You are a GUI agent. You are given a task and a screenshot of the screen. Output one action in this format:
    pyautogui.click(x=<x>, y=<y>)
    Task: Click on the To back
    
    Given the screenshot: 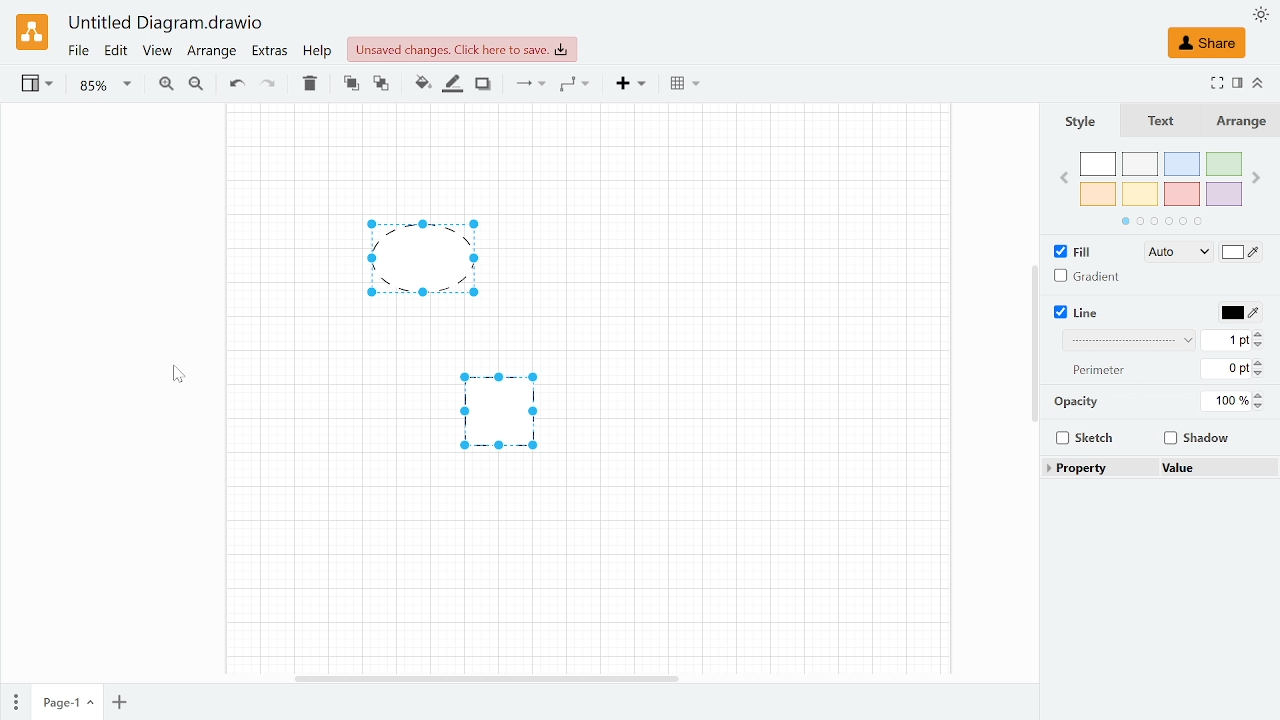 What is the action you would take?
    pyautogui.click(x=381, y=84)
    